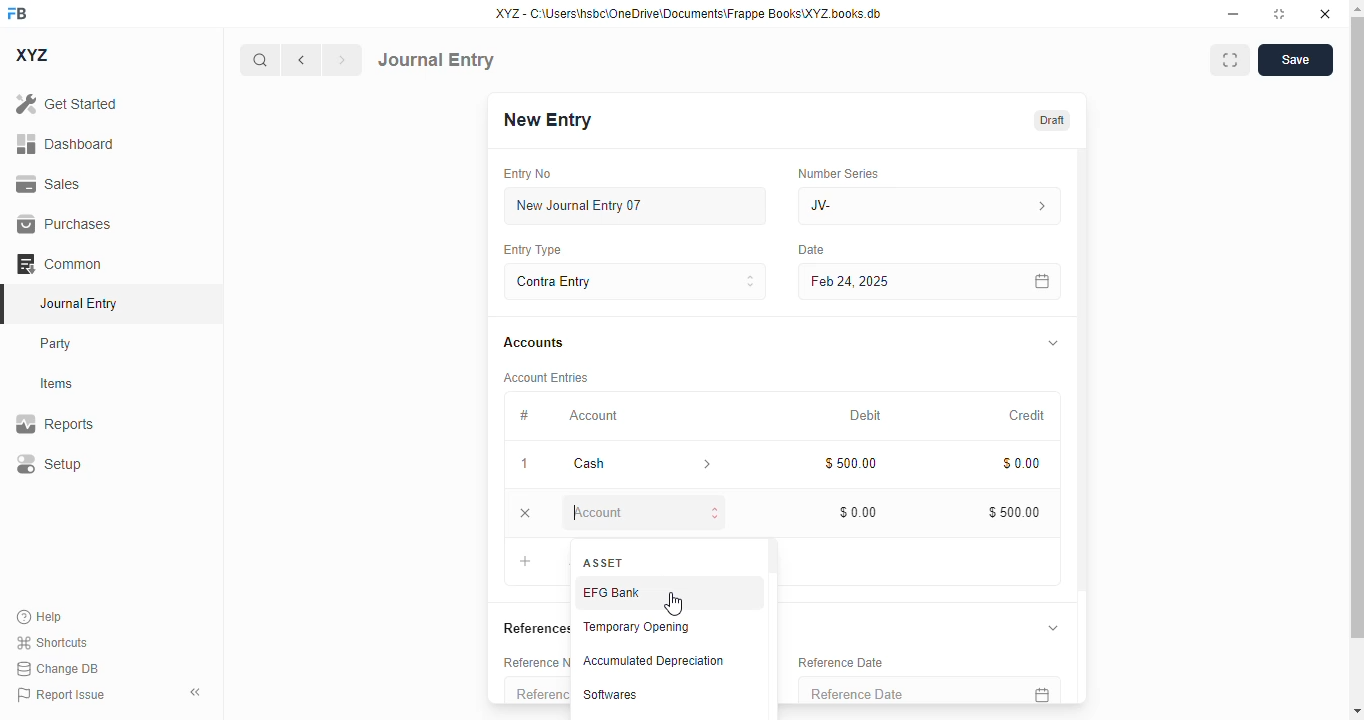  I want to click on reports, so click(55, 423).